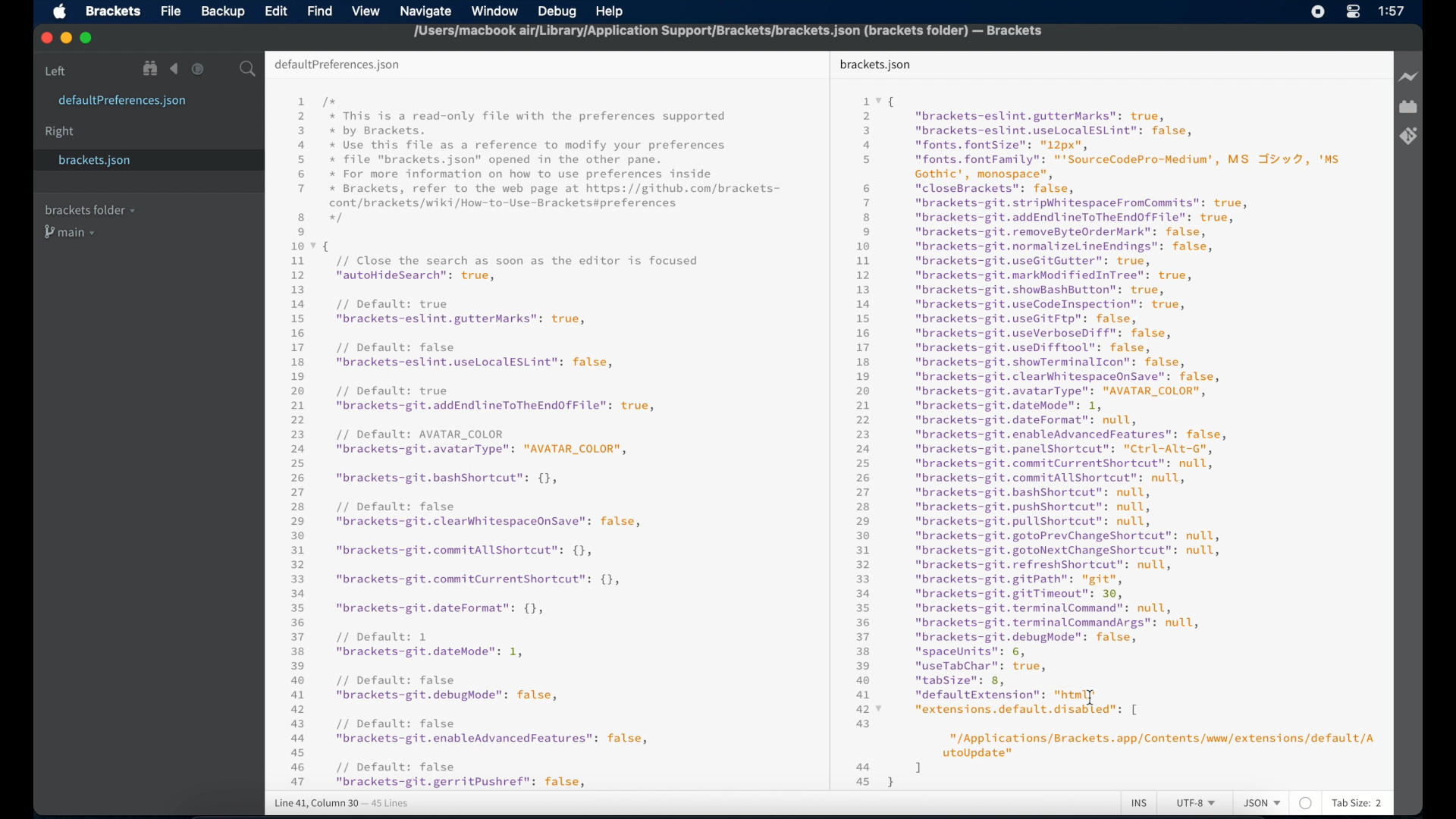 This screenshot has width=1456, height=819. Describe the element at coordinates (1392, 11) in the screenshot. I see `1:57` at that location.